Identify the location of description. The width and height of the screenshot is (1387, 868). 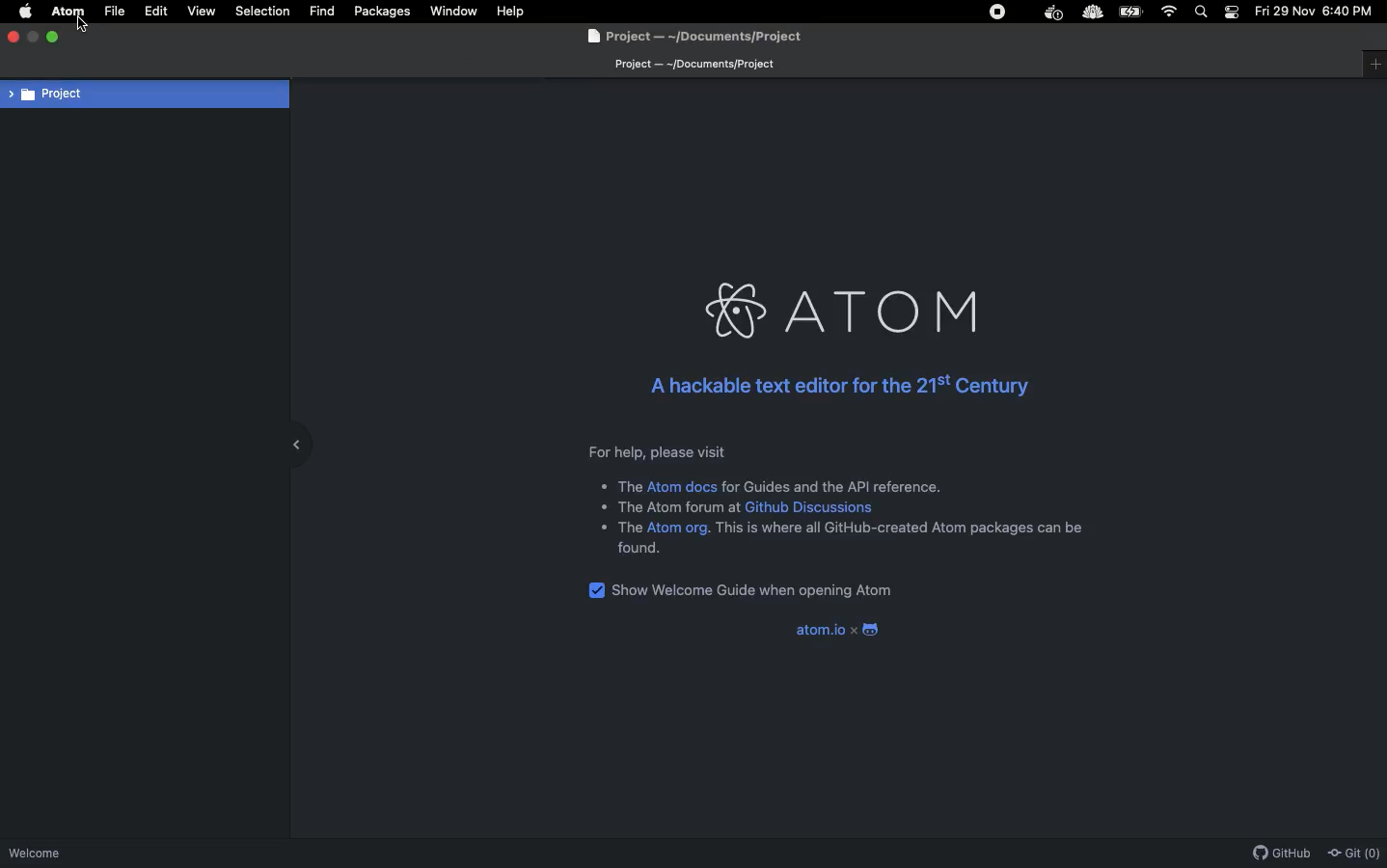
(629, 486).